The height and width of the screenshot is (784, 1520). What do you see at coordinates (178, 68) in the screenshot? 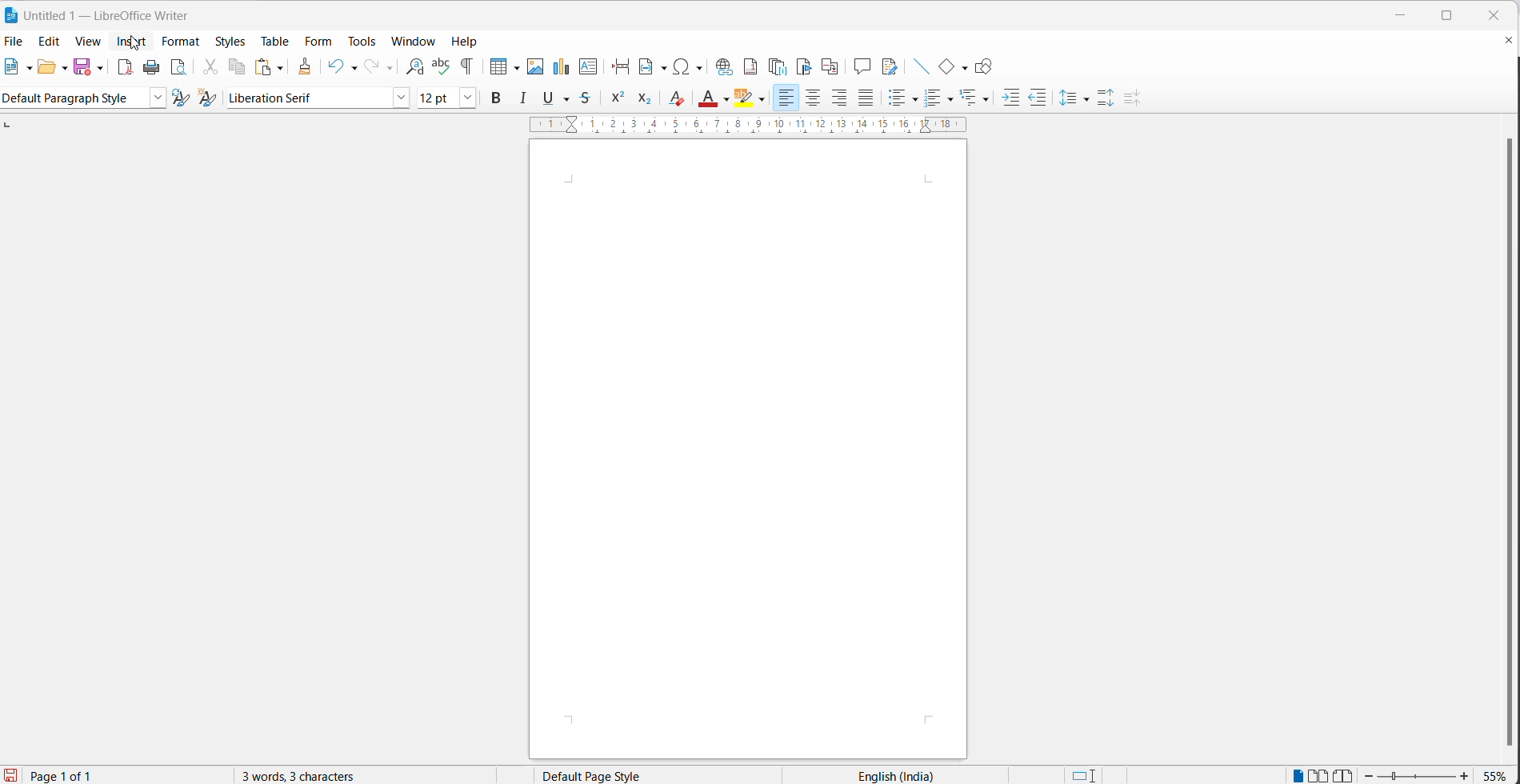
I see `print preview` at bounding box center [178, 68].